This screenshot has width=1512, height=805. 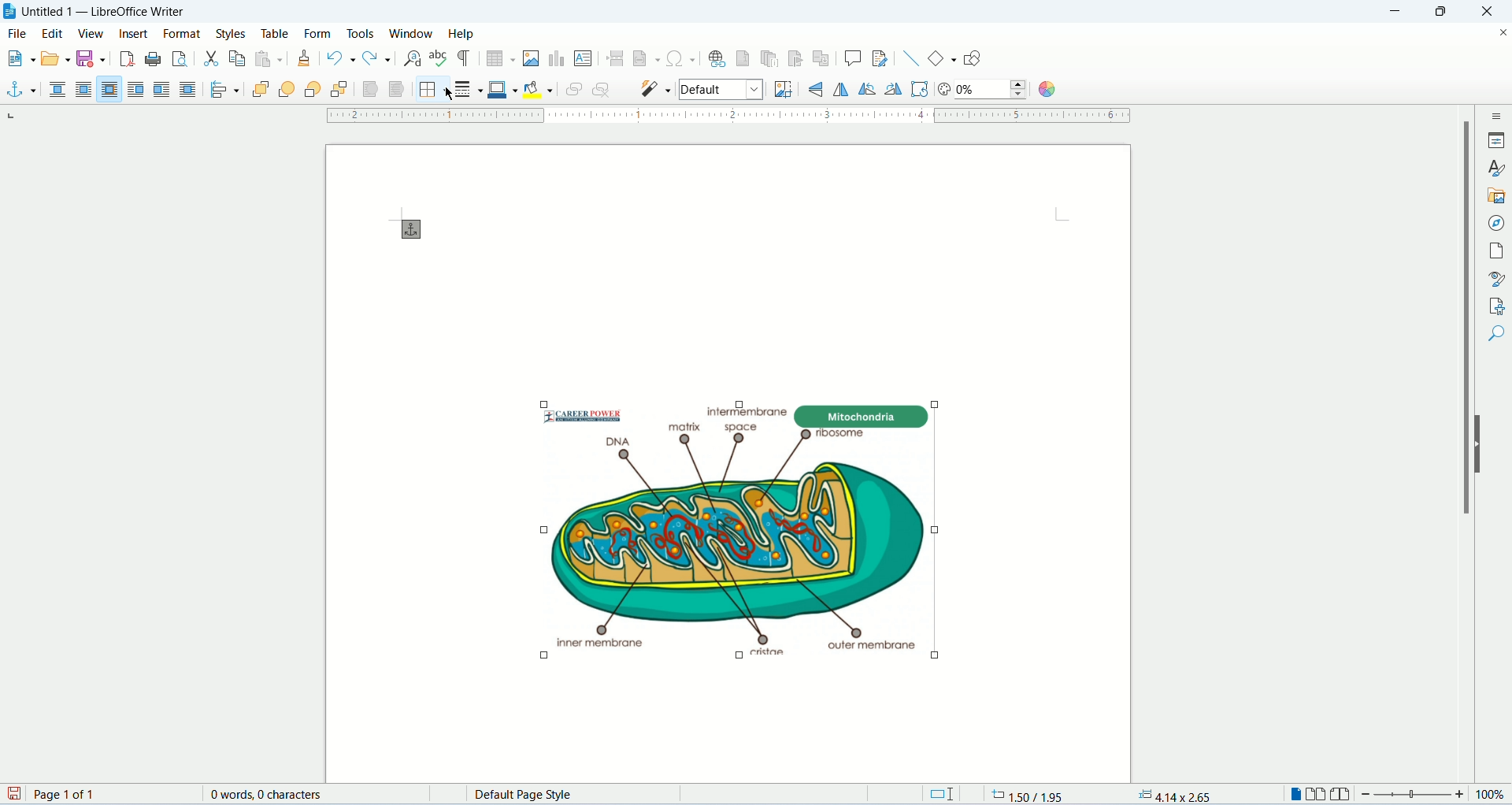 What do you see at coordinates (276, 34) in the screenshot?
I see `table` at bounding box center [276, 34].